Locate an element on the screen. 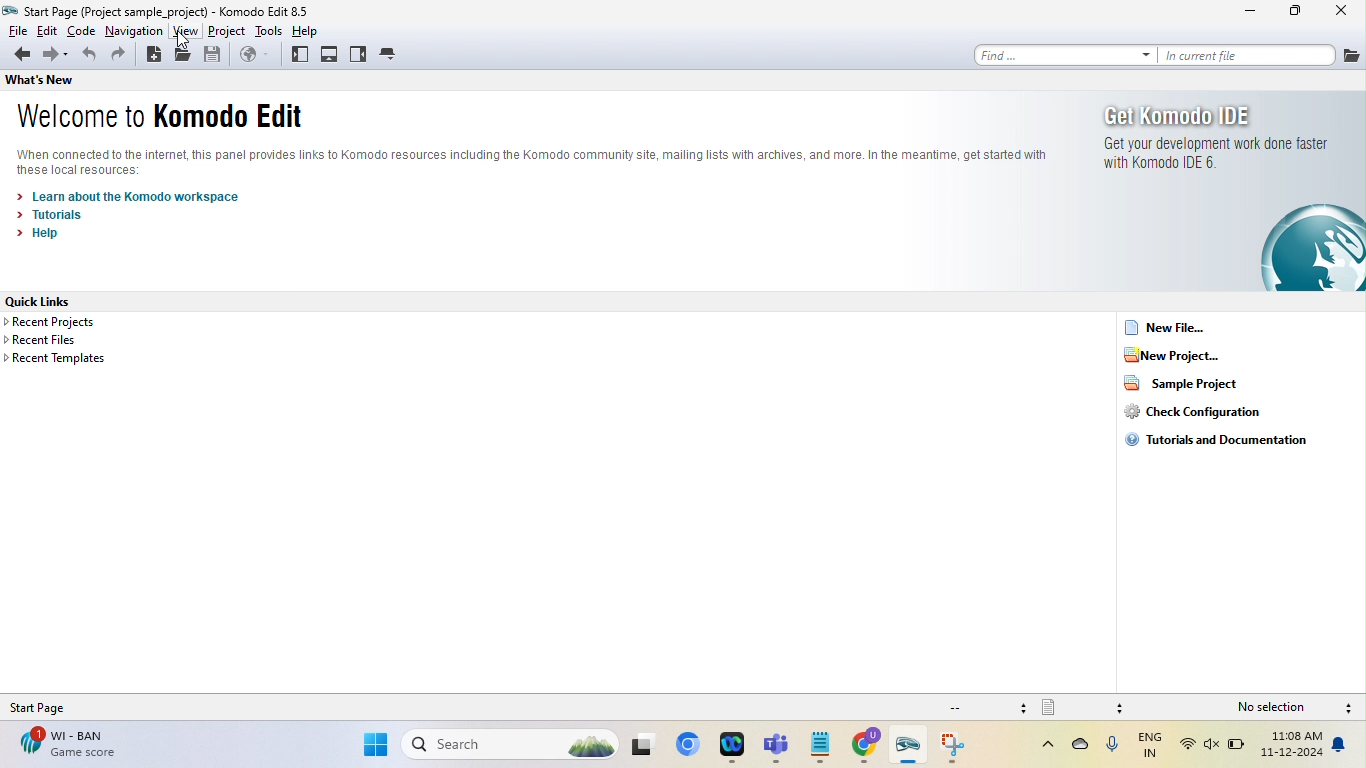 The width and height of the screenshot is (1366, 768). voice is located at coordinates (1112, 749).